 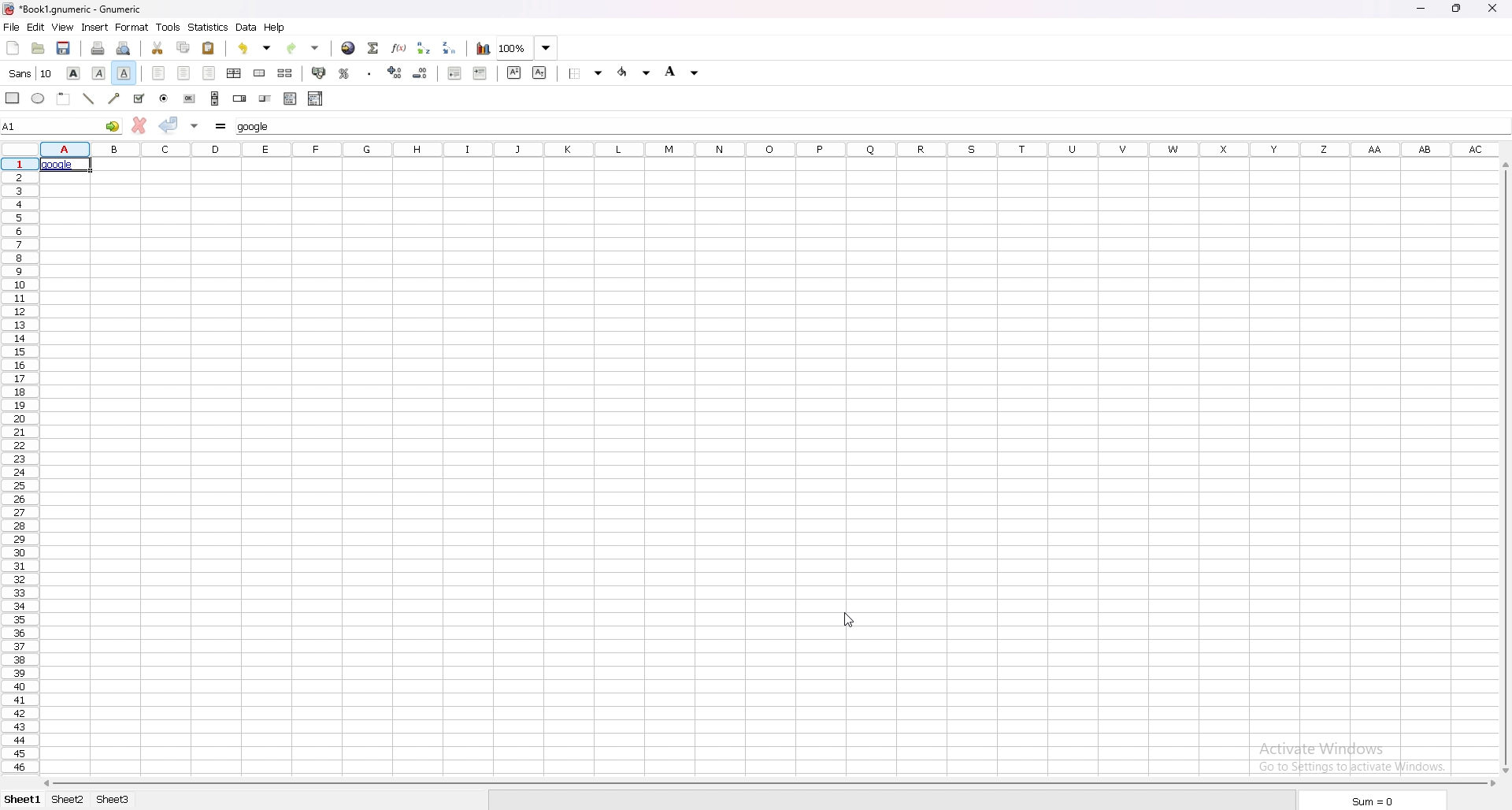 What do you see at coordinates (480, 72) in the screenshot?
I see `increase indent` at bounding box center [480, 72].